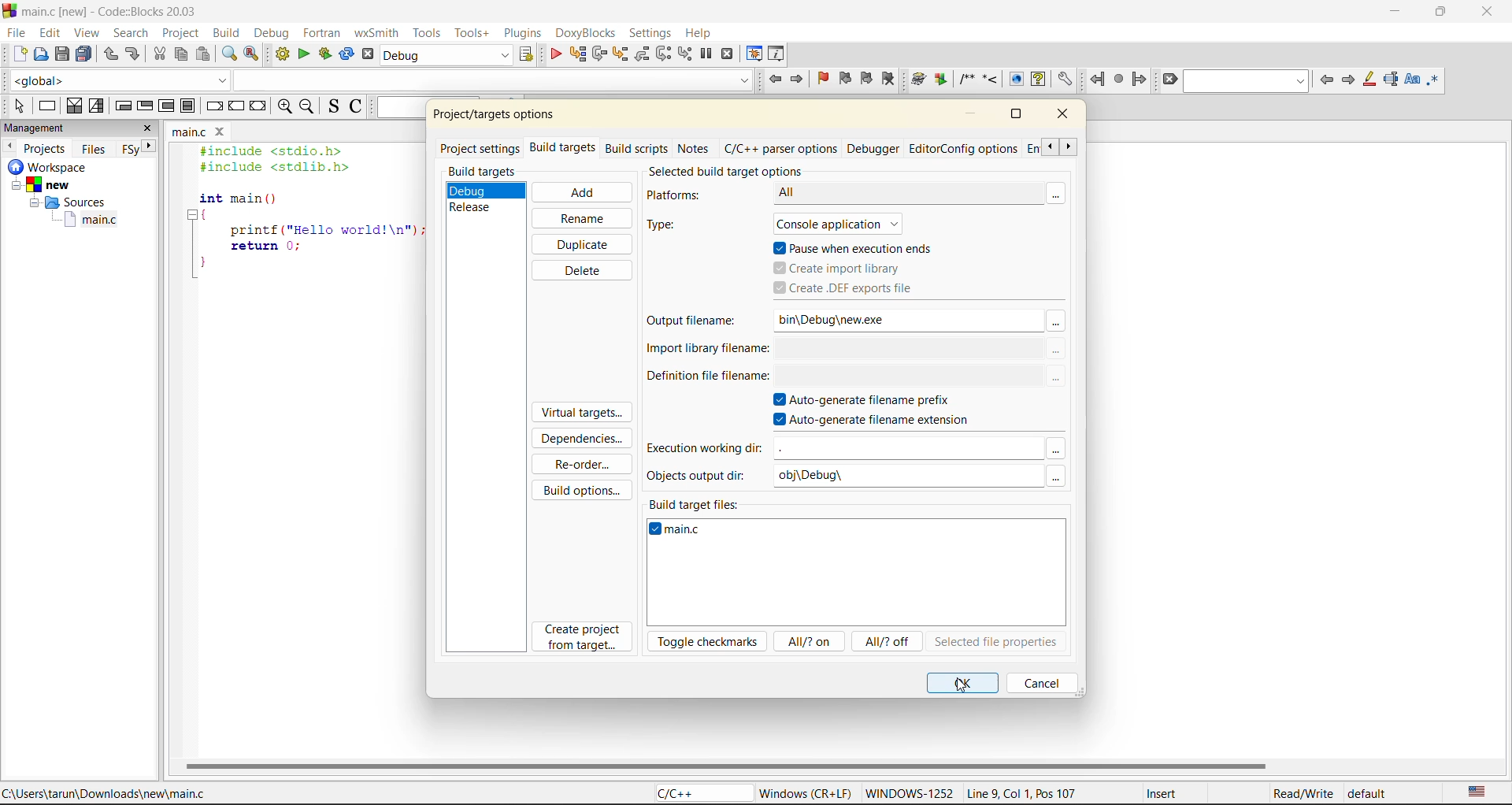 The image size is (1512, 805). Describe the element at coordinates (860, 247) in the screenshot. I see `pause when execution ends` at that location.